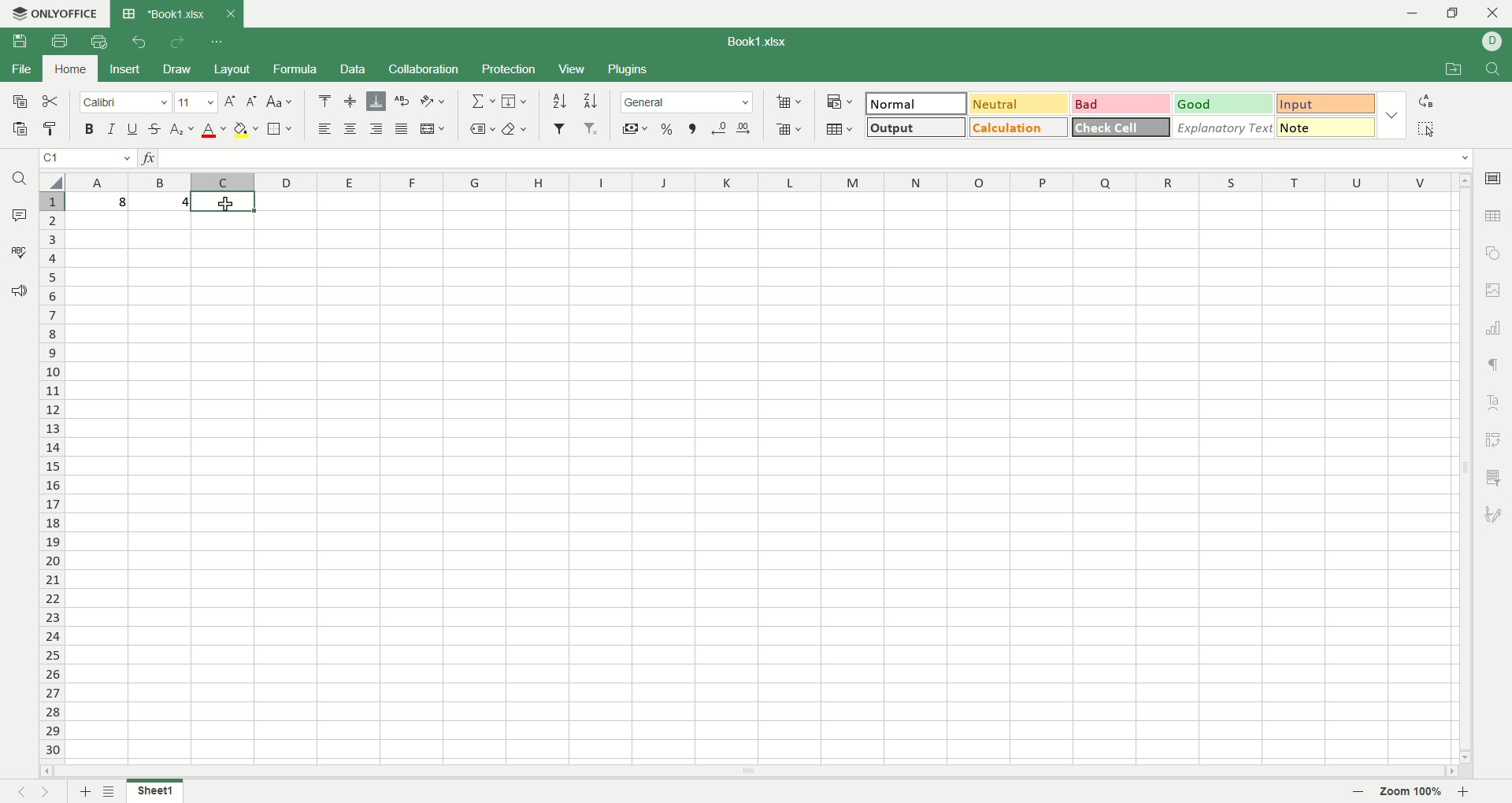 Image resolution: width=1512 pixels, height=803 pixels. I want to click on active cell position, so click(89, 158).